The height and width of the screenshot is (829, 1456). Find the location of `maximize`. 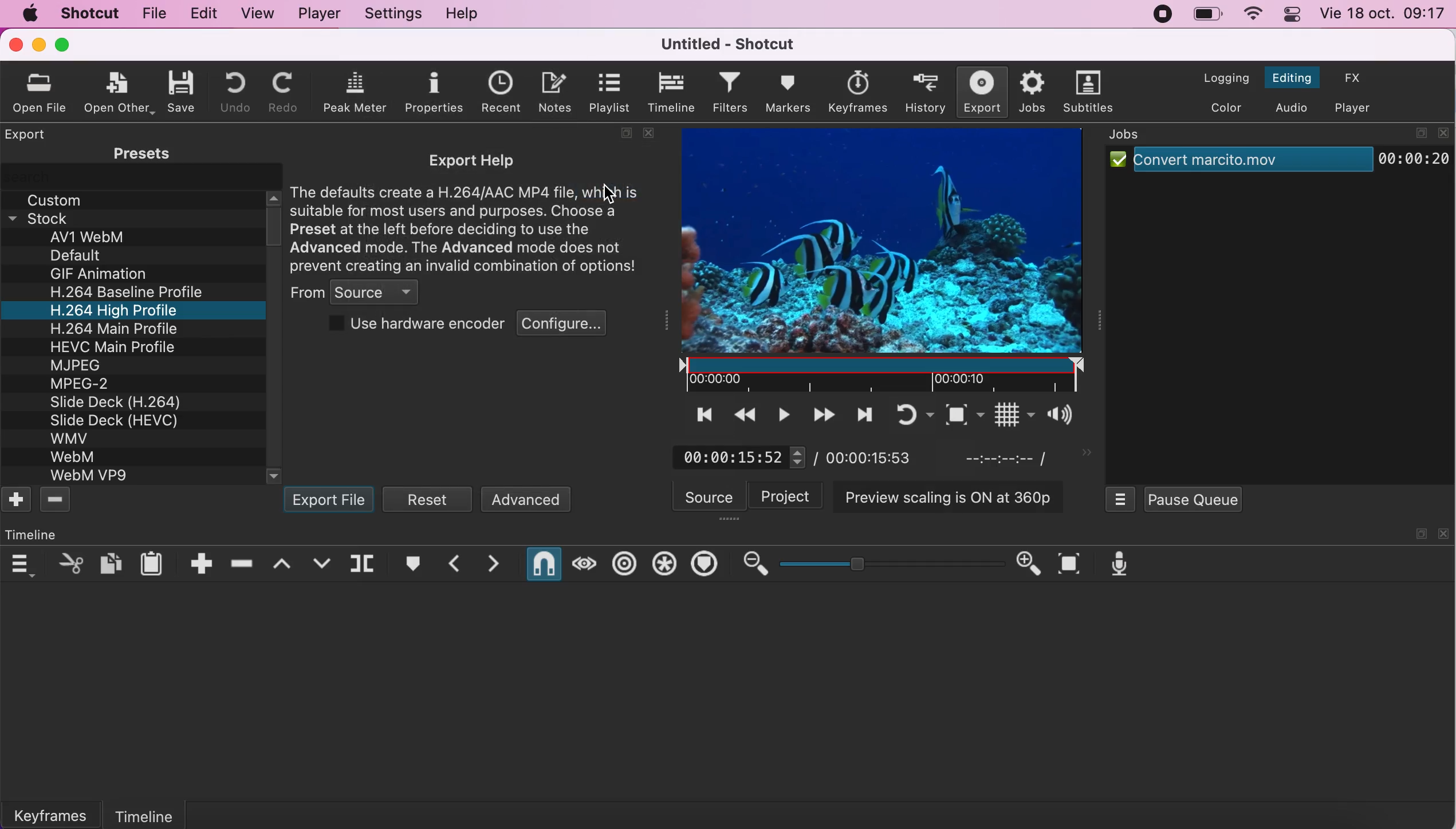

maximize is located at coordinates (64, 45).